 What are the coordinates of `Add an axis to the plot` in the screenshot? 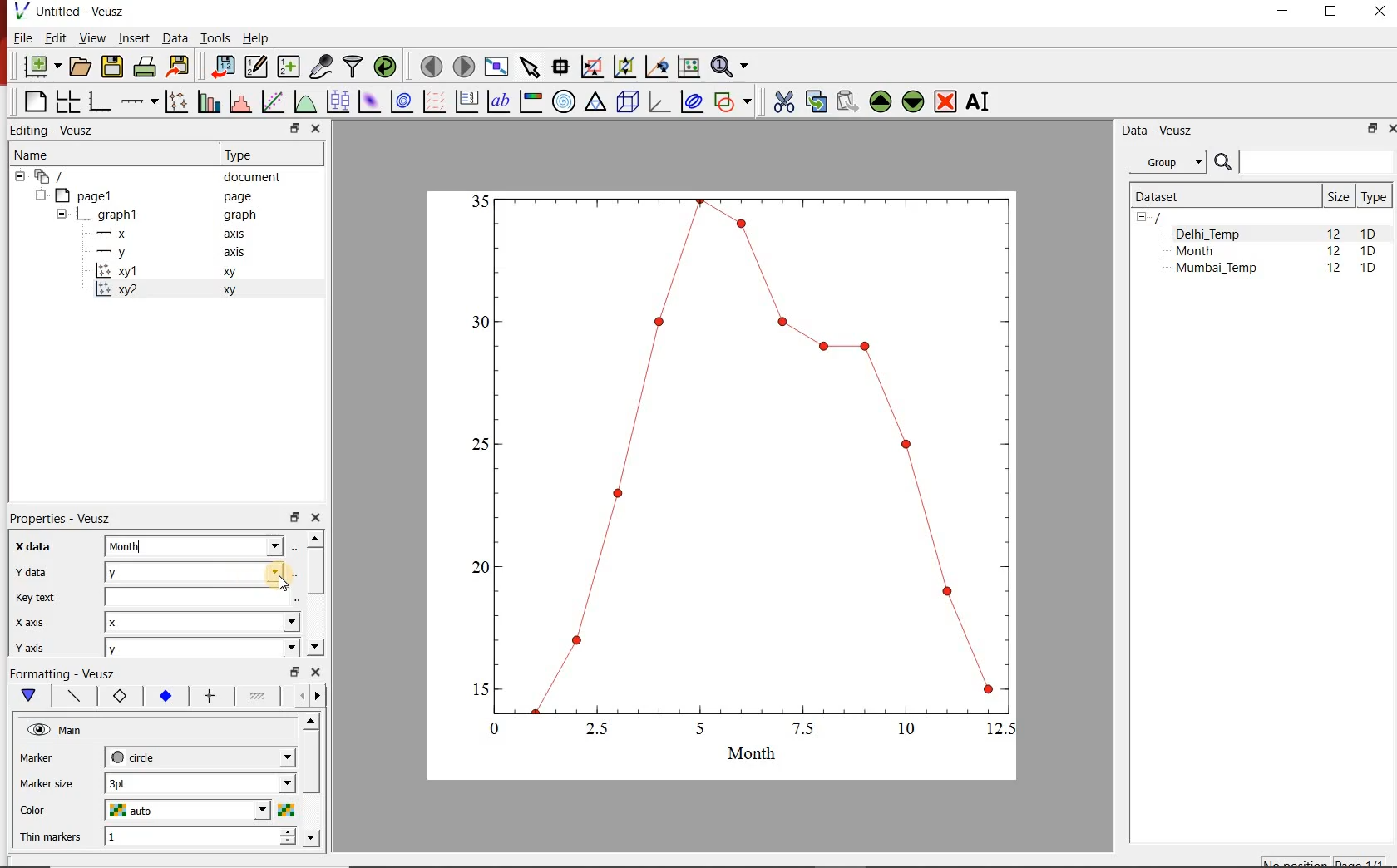 It's located at (137, 101).